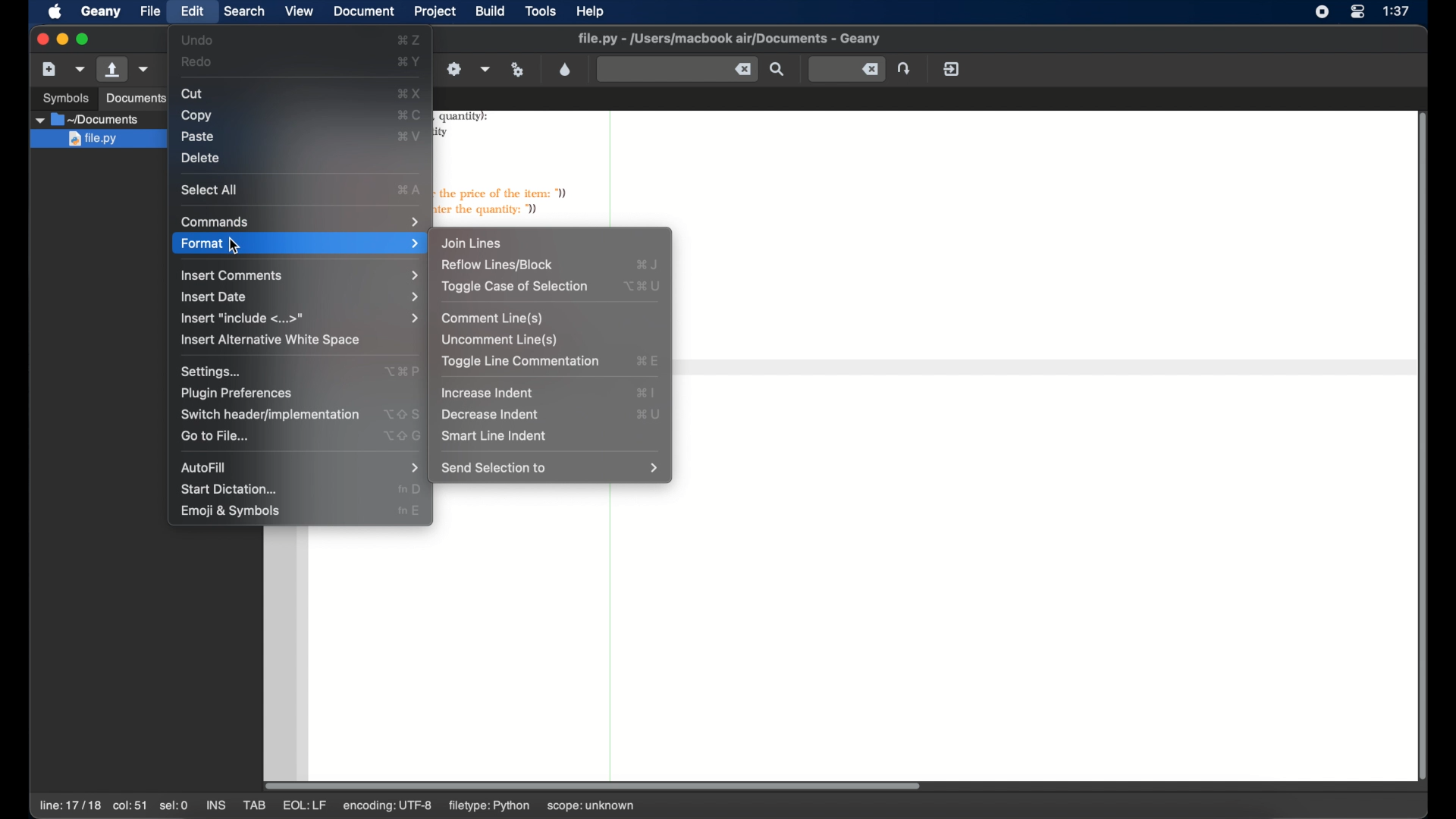 The width and height of the screenshot is (1456, 819). What do you see at coordinates (215, 805) in the screenshot?
I see `ins` at bounding box center [215, 805].